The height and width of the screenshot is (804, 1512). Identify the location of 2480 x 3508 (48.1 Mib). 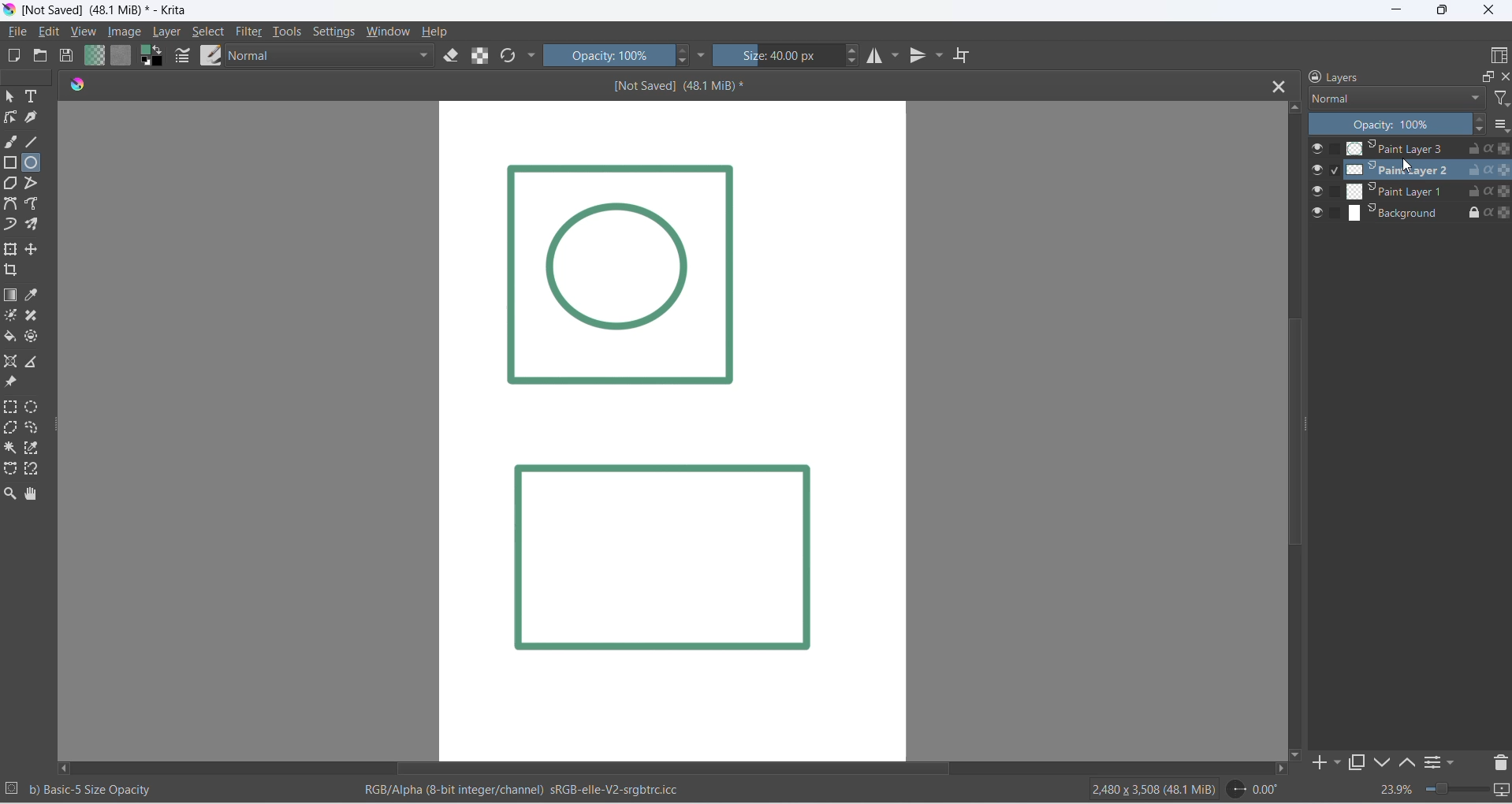
(1141, 791).